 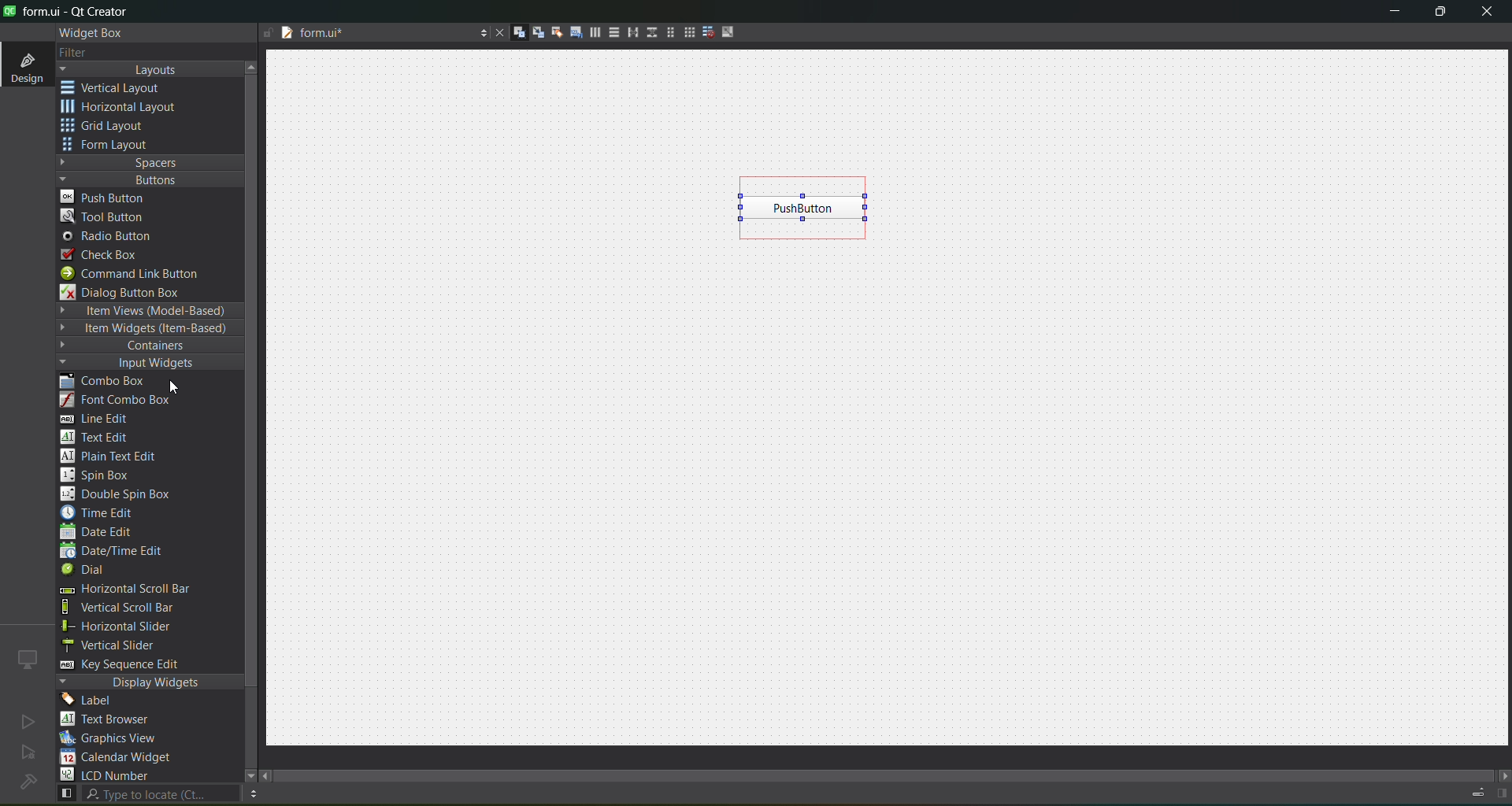 I want to click on filter, so click(x=85, y=54).